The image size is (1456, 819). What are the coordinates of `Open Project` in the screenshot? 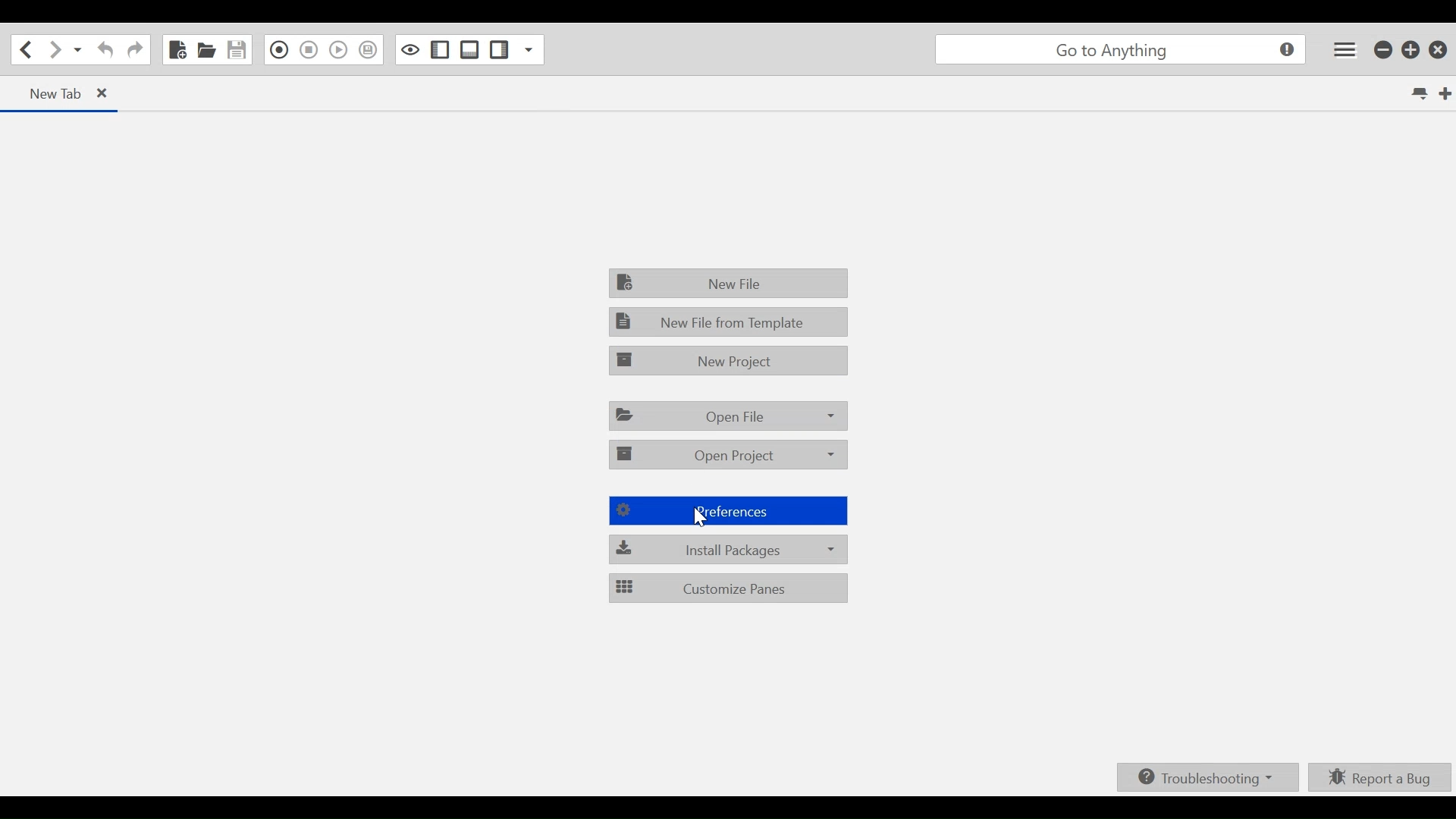 It's located at (727, 456).